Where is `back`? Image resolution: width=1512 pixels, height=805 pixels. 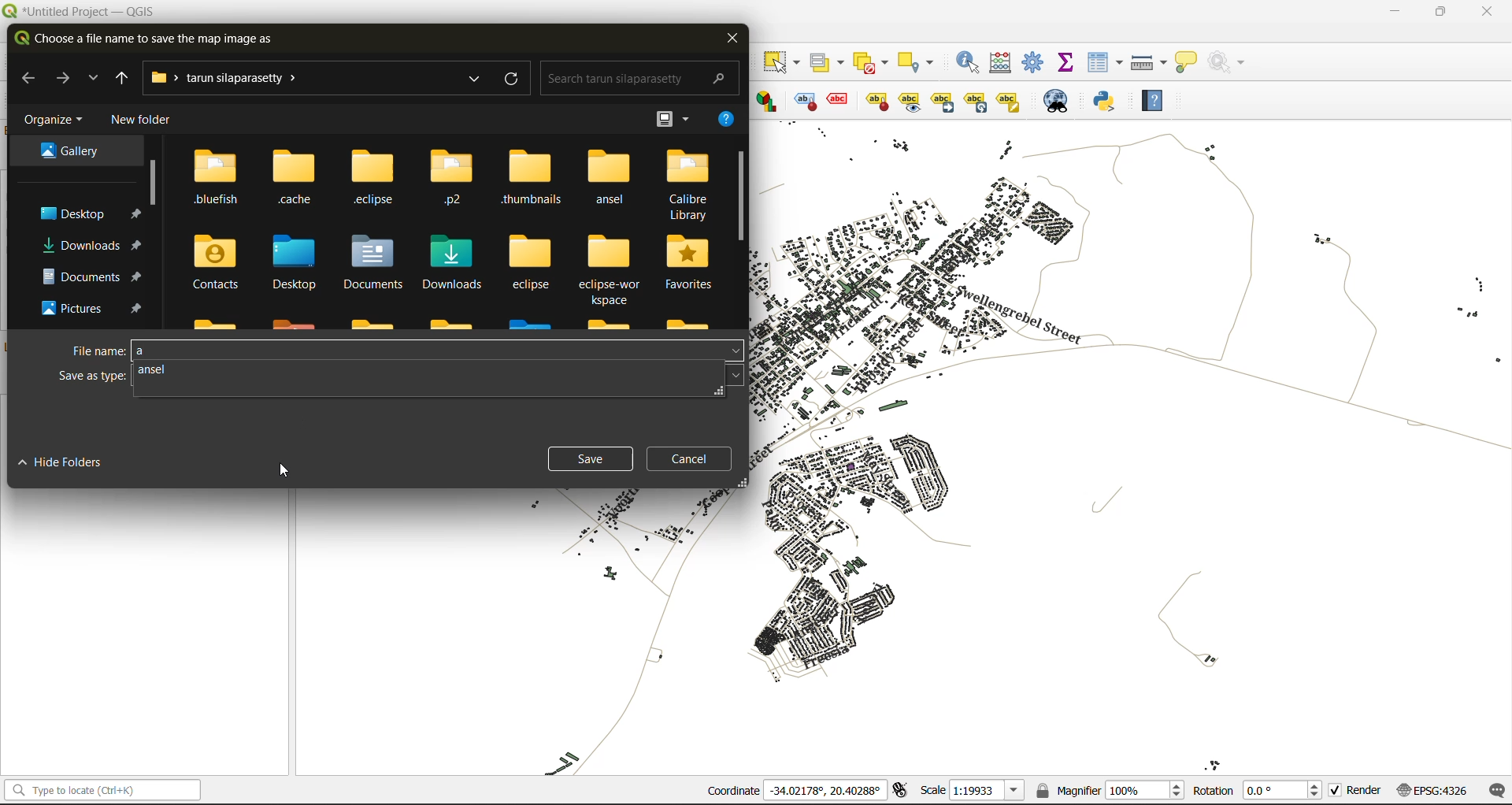 back is located at coordinates (28, 76).